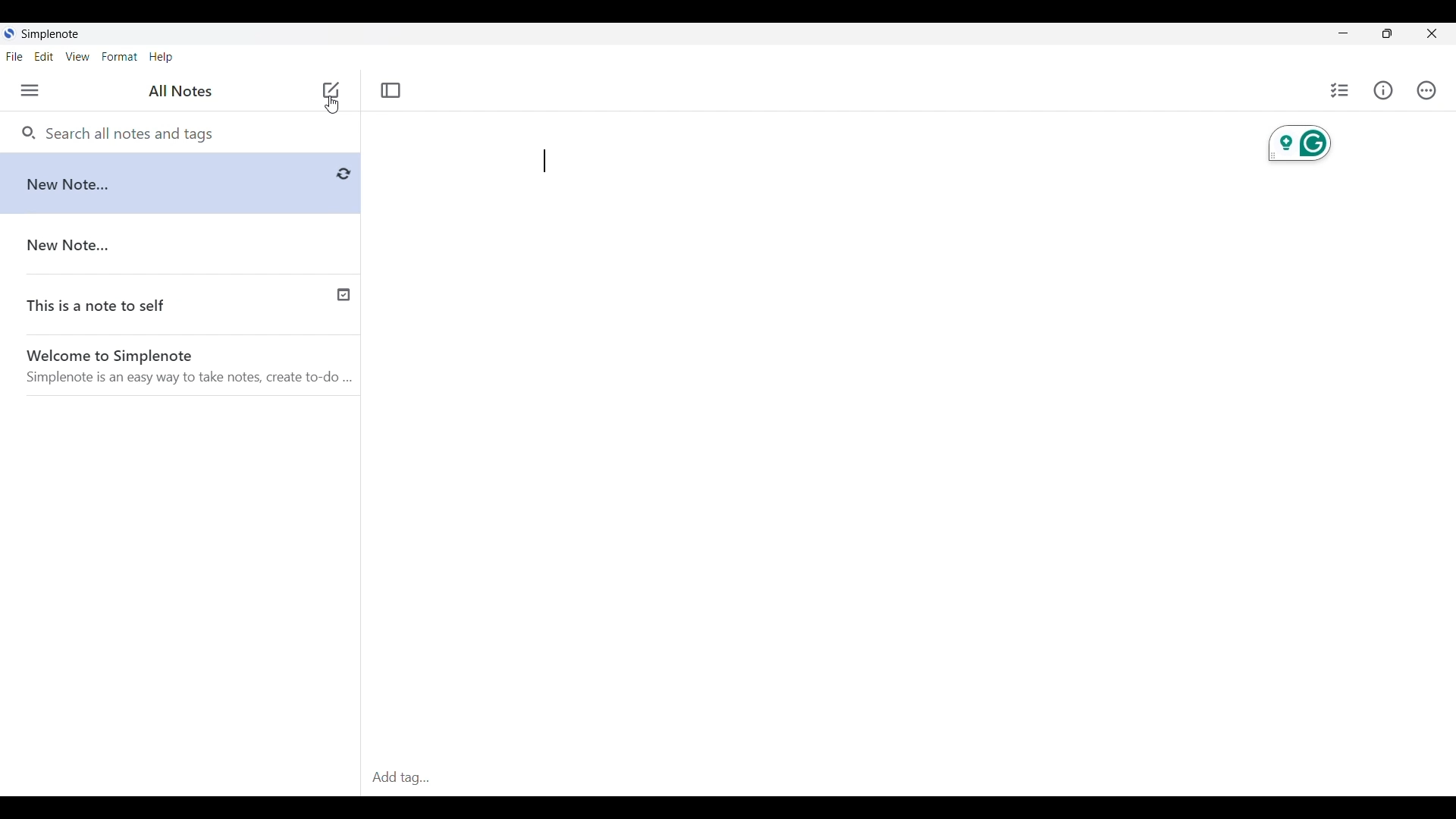 This screenshot has height=819, width=1456. What do you see at coordinates (181, 307) in the screenshot?
I see `This is a note to self(Published note indicated with a check icon)` at bounding box center [181, 307].